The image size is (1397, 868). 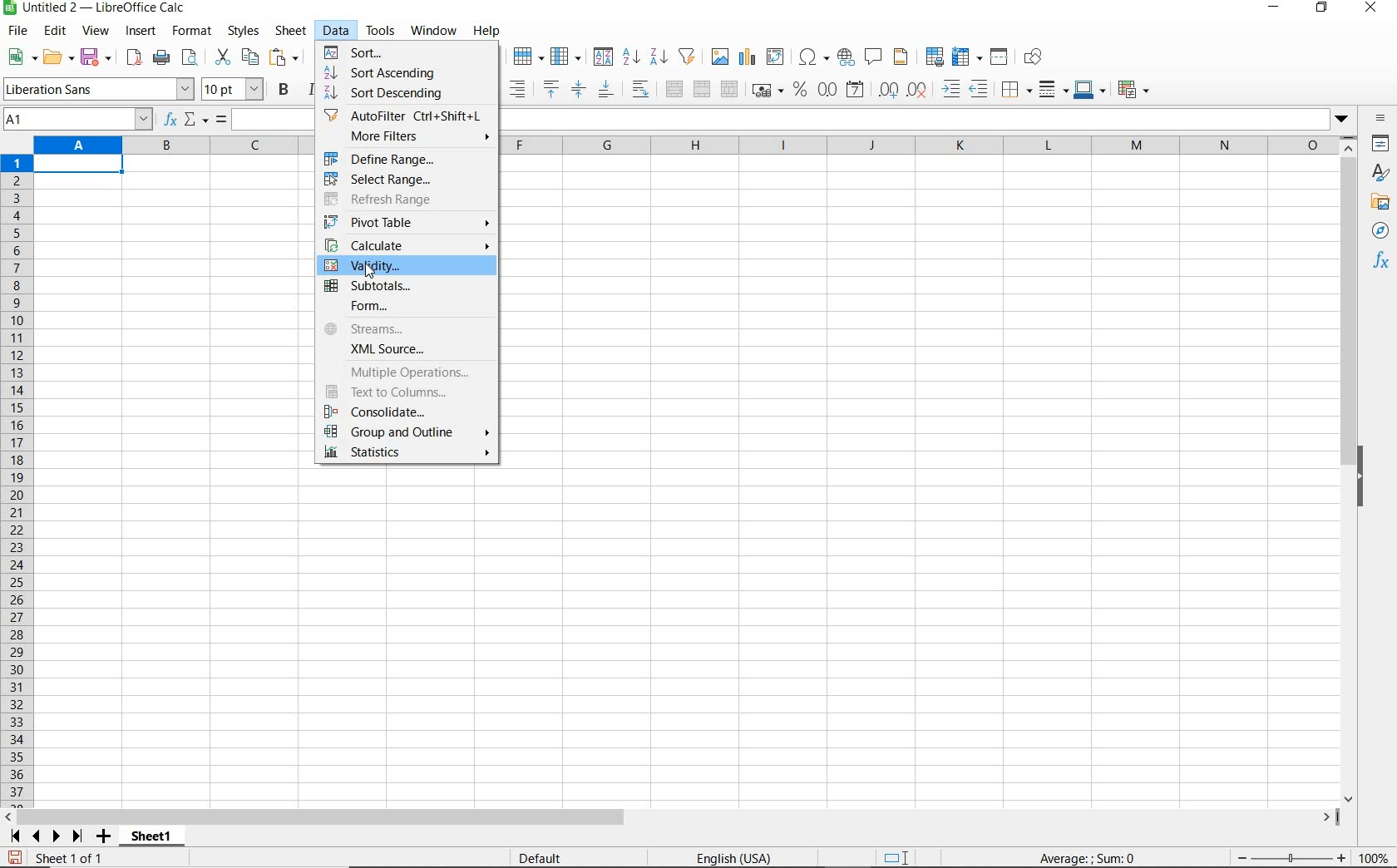 I want to click on wrap text, so click(x=643, y=88).